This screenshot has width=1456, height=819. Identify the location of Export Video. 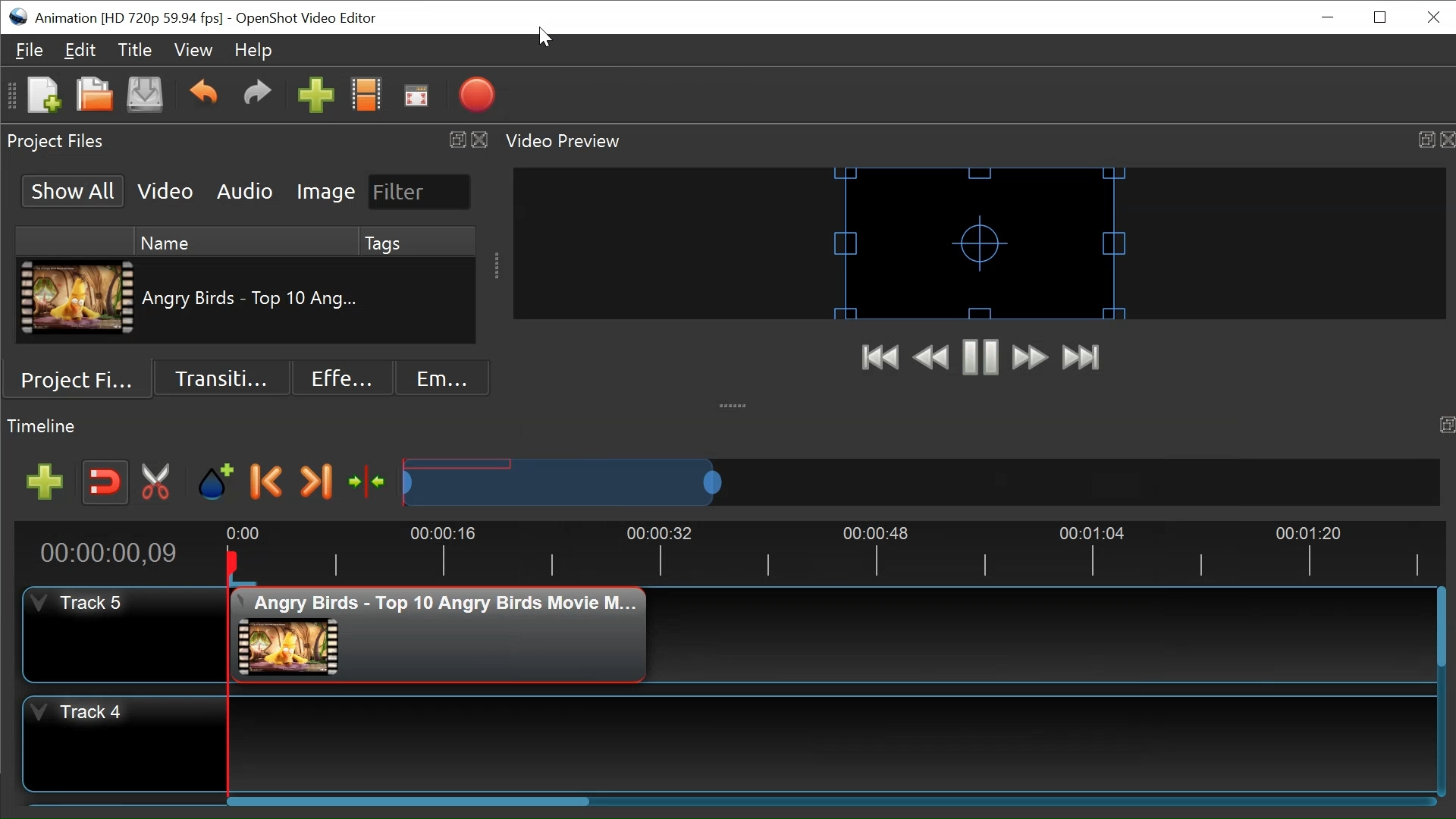
(476, 95).